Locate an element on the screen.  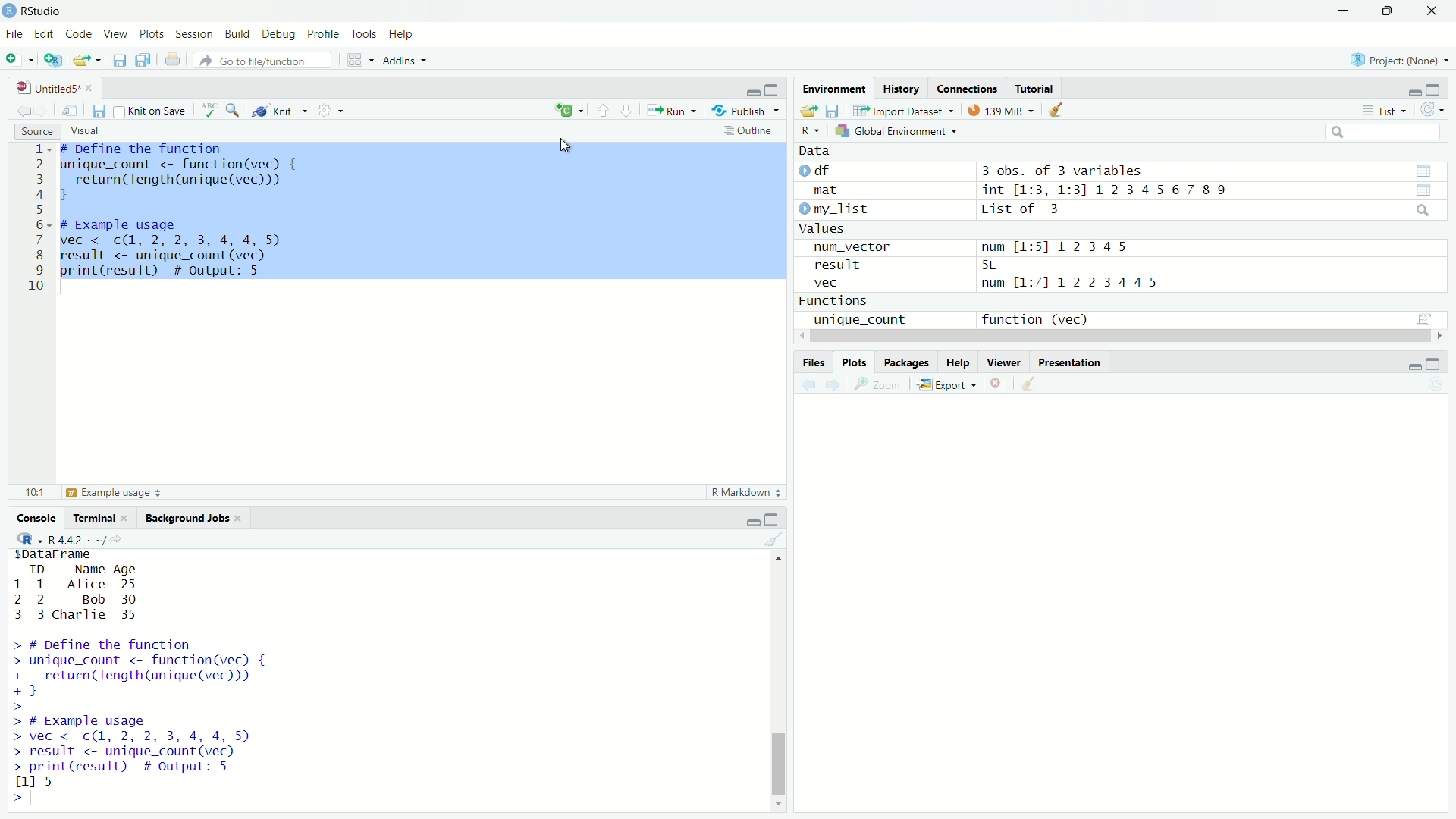
Files is located at coordinates (813, 363).